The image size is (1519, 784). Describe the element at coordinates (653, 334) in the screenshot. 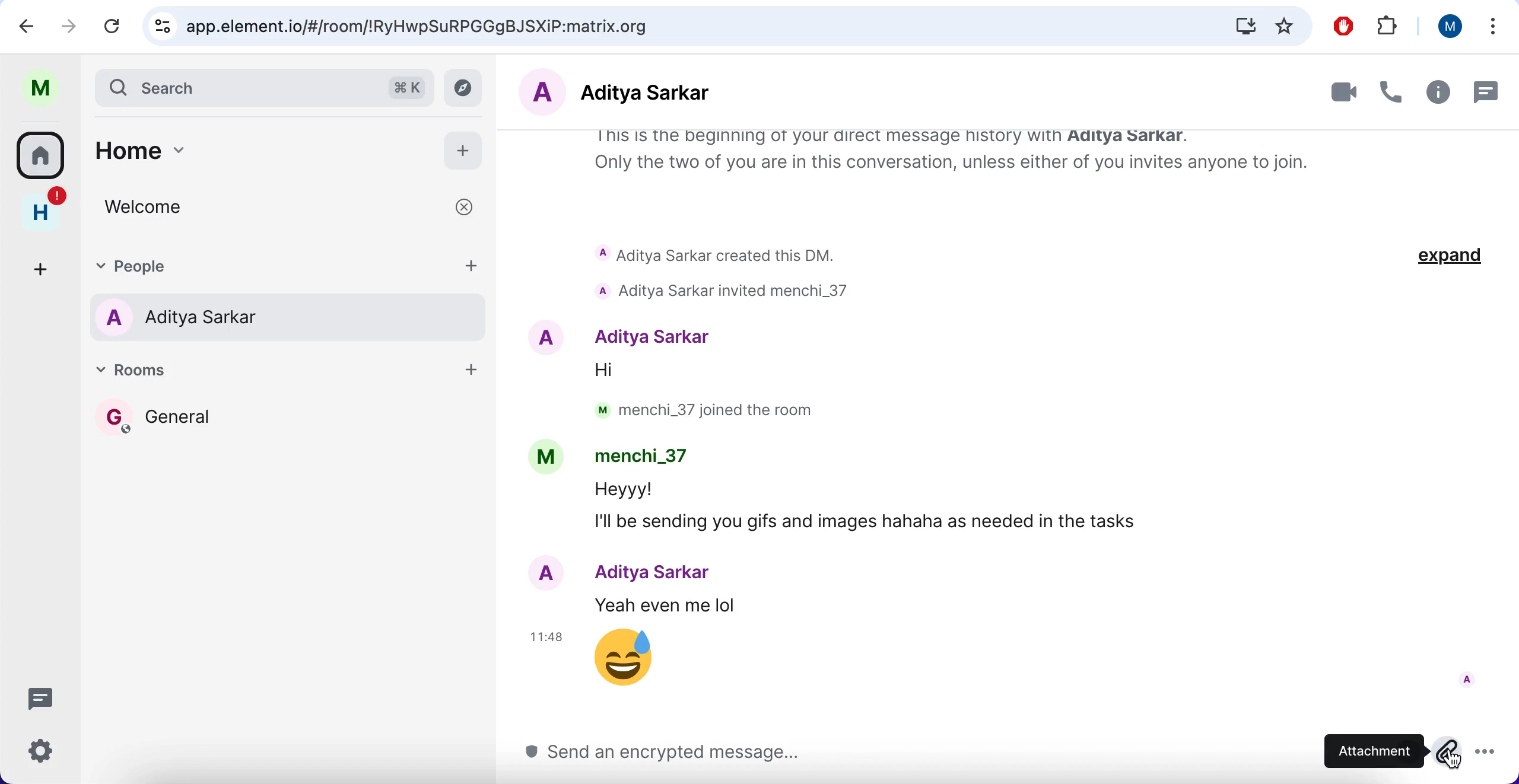

I see `Aditya Sarkar` at that location.